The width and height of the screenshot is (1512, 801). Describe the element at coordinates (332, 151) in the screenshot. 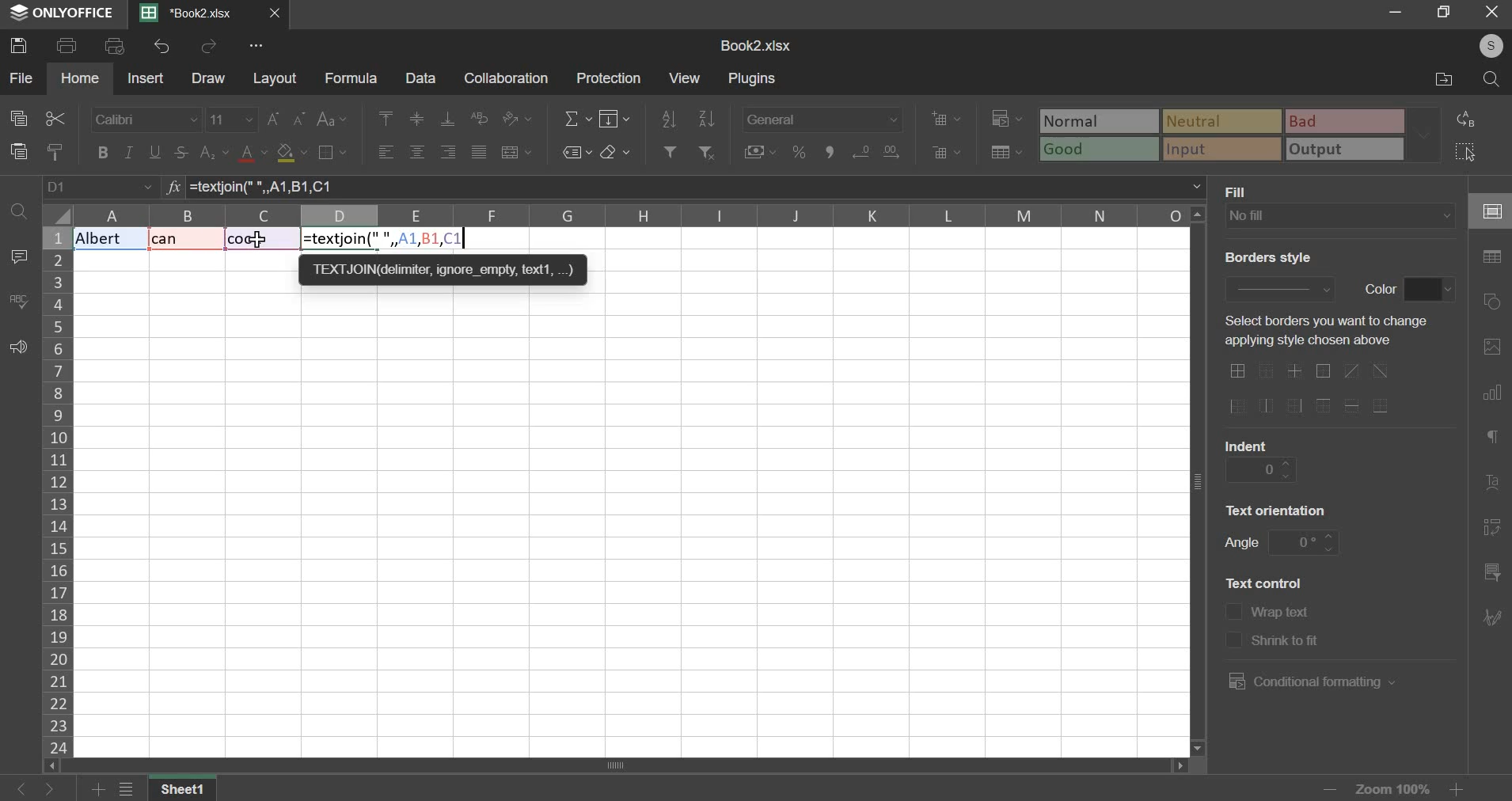

I see `border` at that location.